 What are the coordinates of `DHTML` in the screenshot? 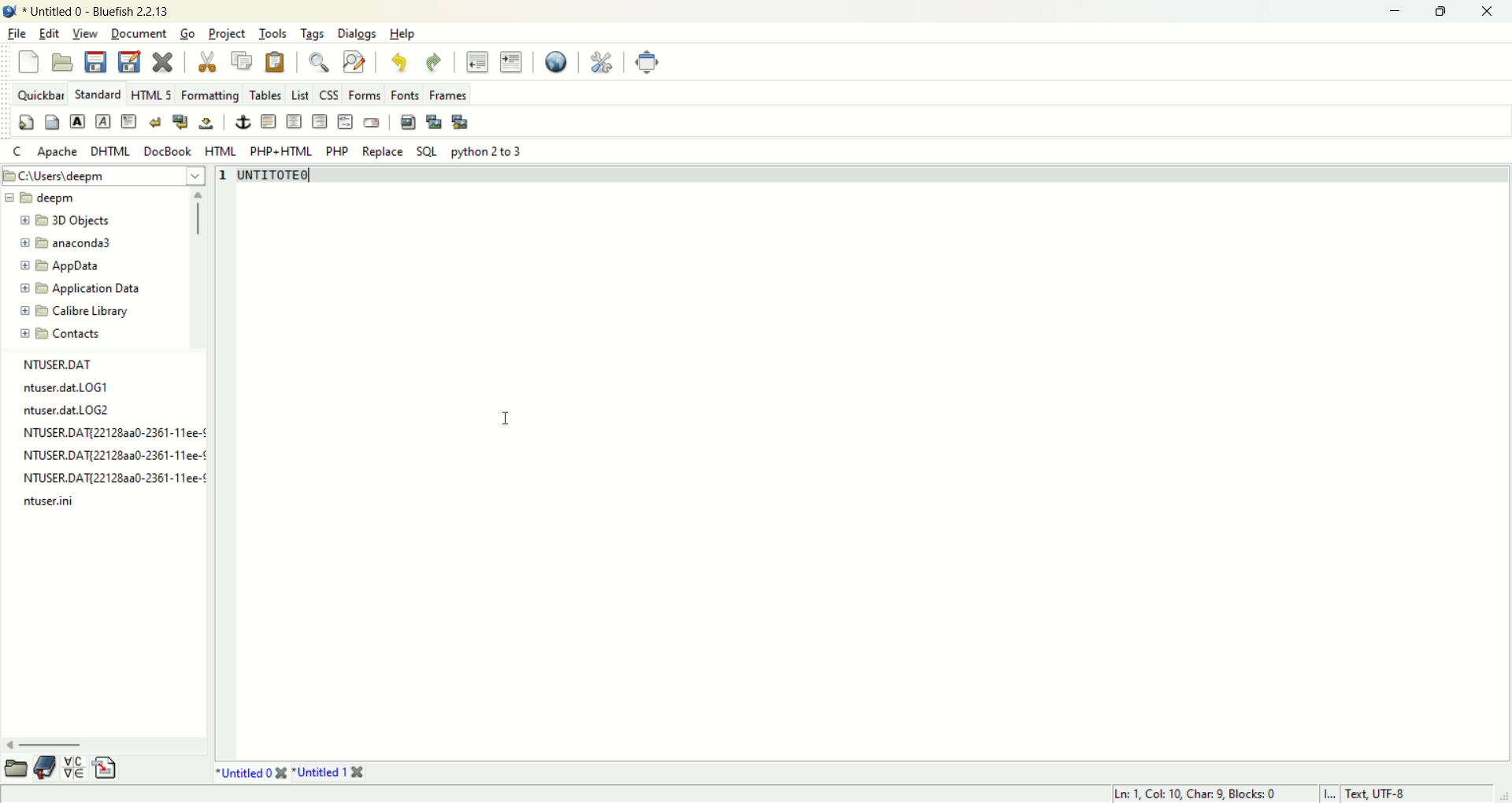 It's located at (109, 150).